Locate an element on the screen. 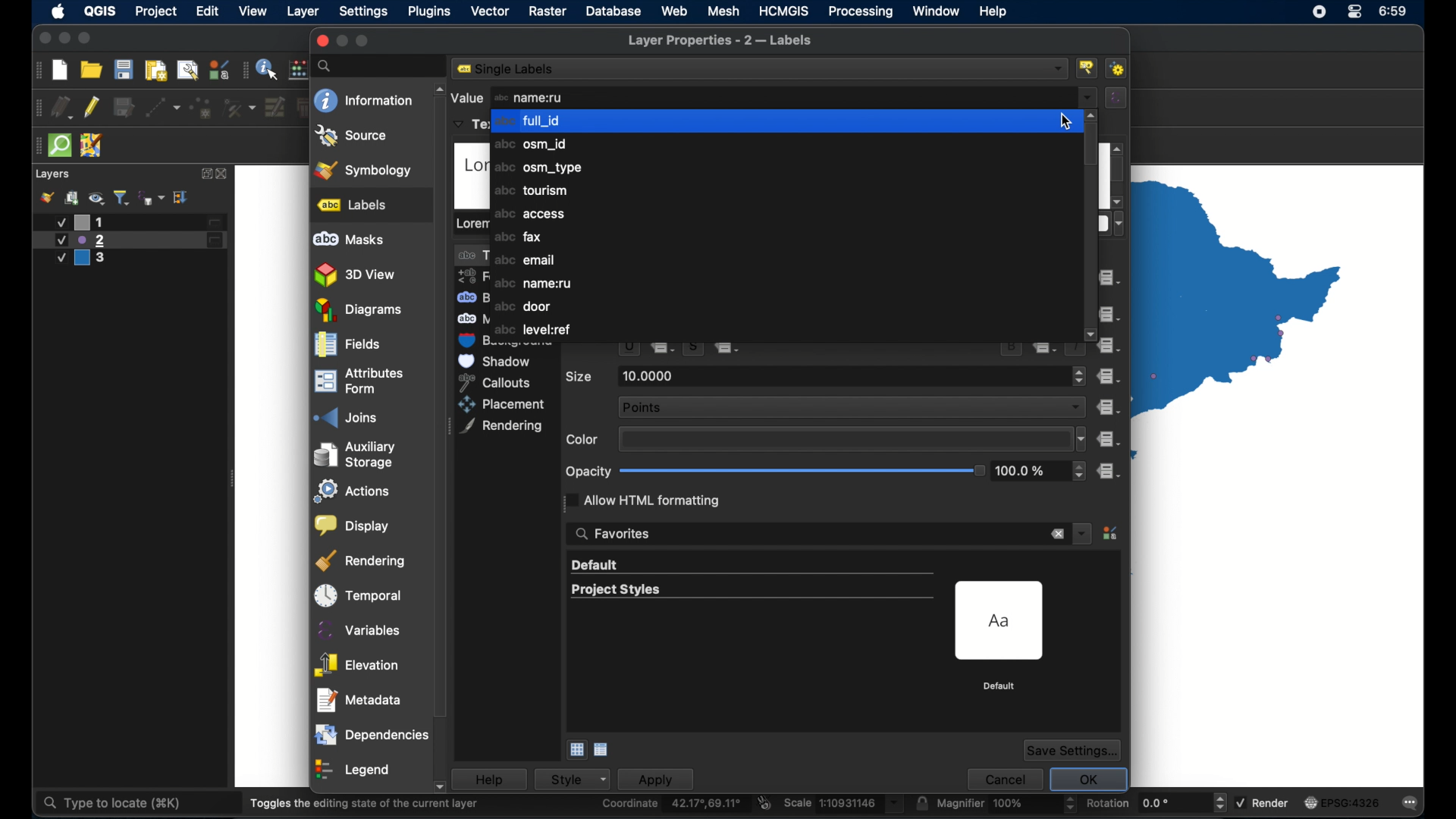 This screenshot has height=819, width=1456. add group is located at coordinates (73, 197).